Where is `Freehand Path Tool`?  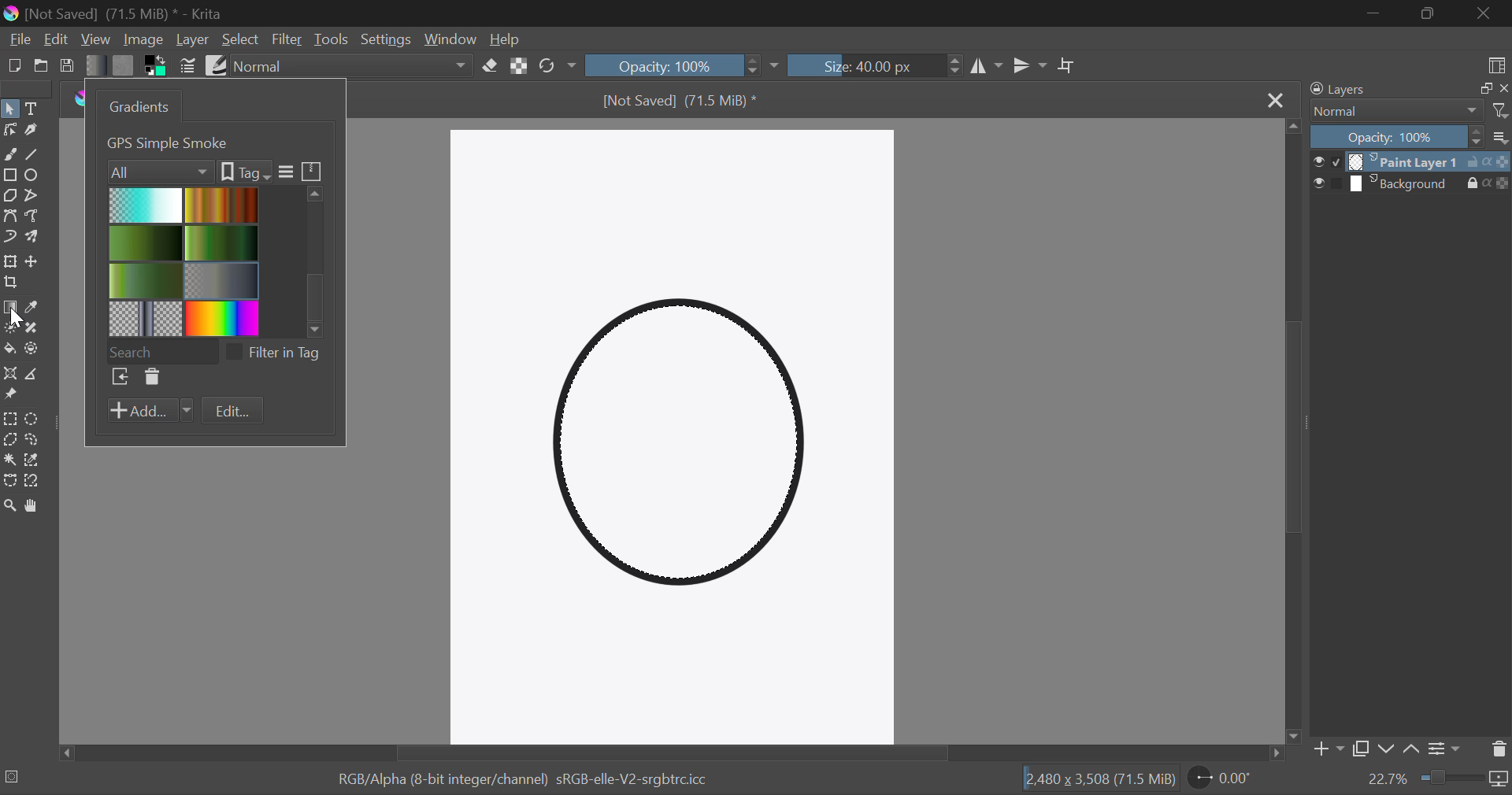
Freehand Path Tool is located at coordinates (35, 217).